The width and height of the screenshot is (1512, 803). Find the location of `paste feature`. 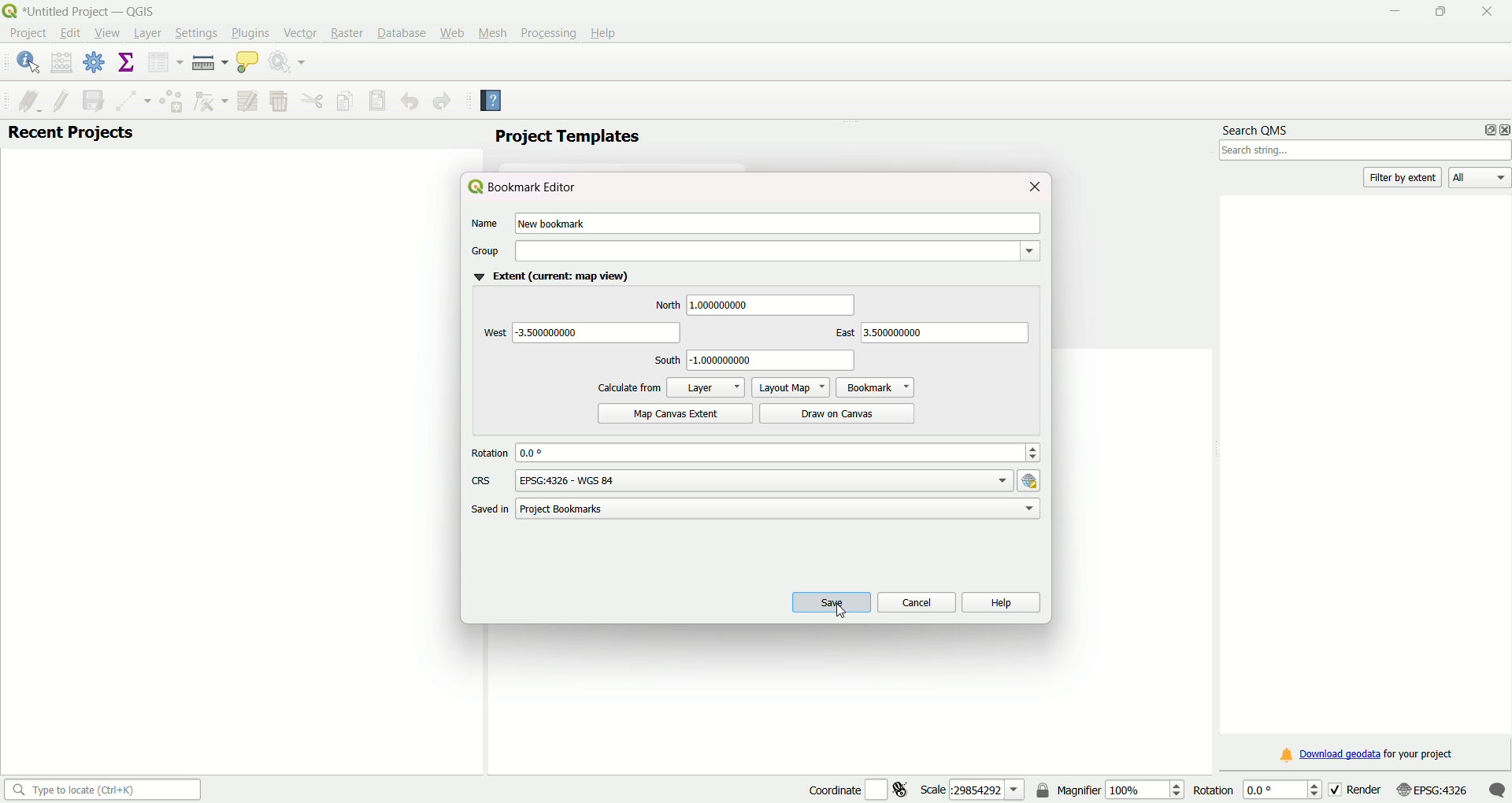

paste feature is located at coordinates (378, 101).